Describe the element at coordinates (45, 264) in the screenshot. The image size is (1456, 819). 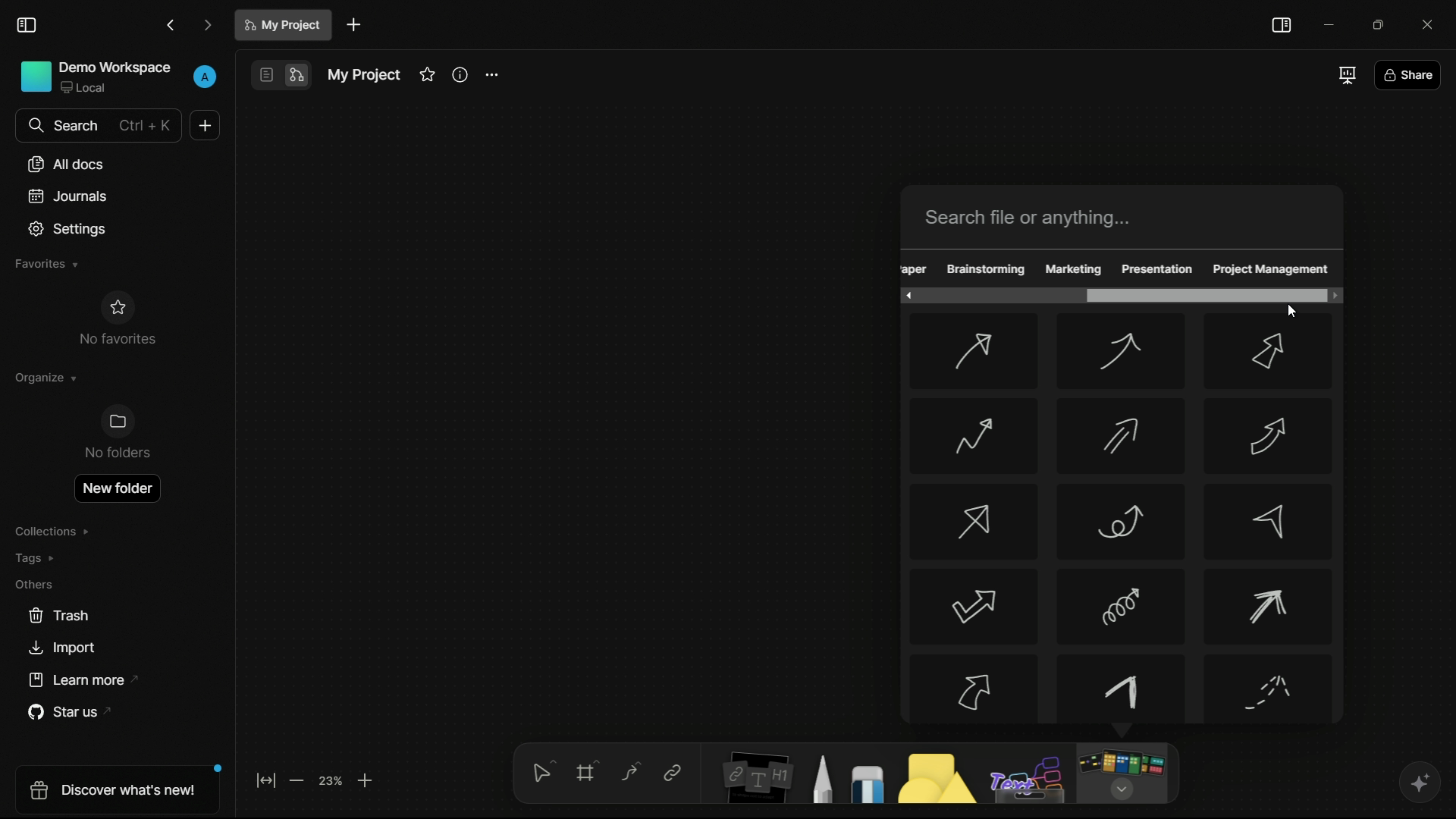
I see `favorites` at that location.